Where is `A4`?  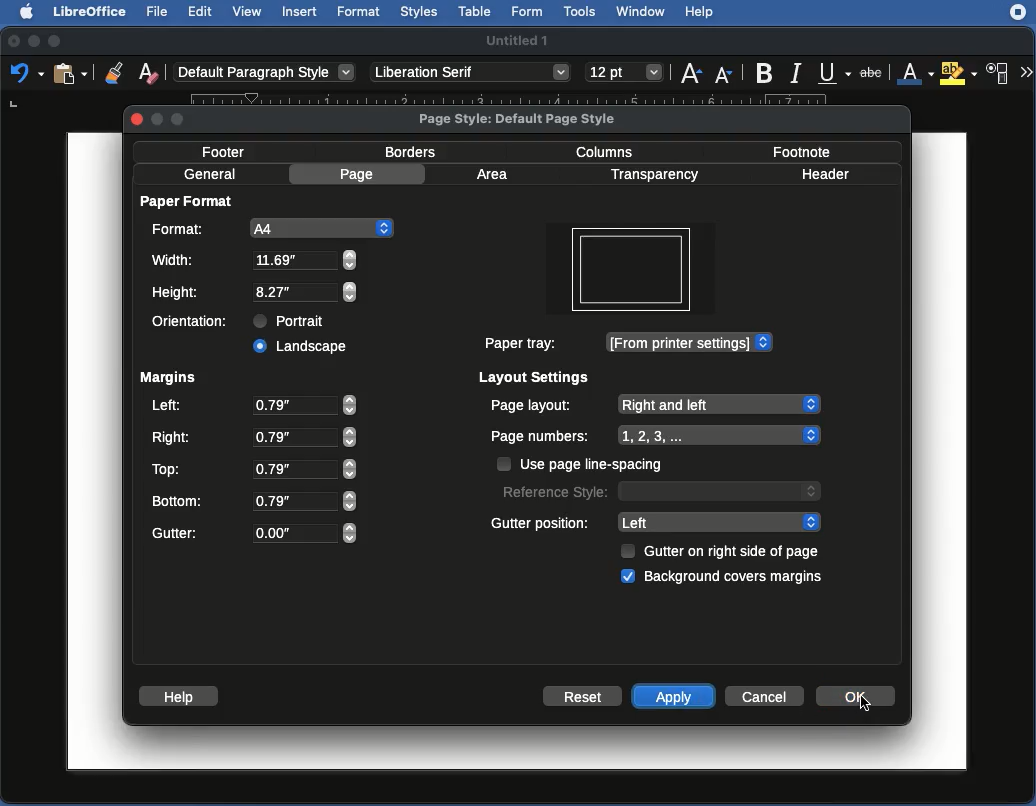
A4 is located at coordinates (321, 226).